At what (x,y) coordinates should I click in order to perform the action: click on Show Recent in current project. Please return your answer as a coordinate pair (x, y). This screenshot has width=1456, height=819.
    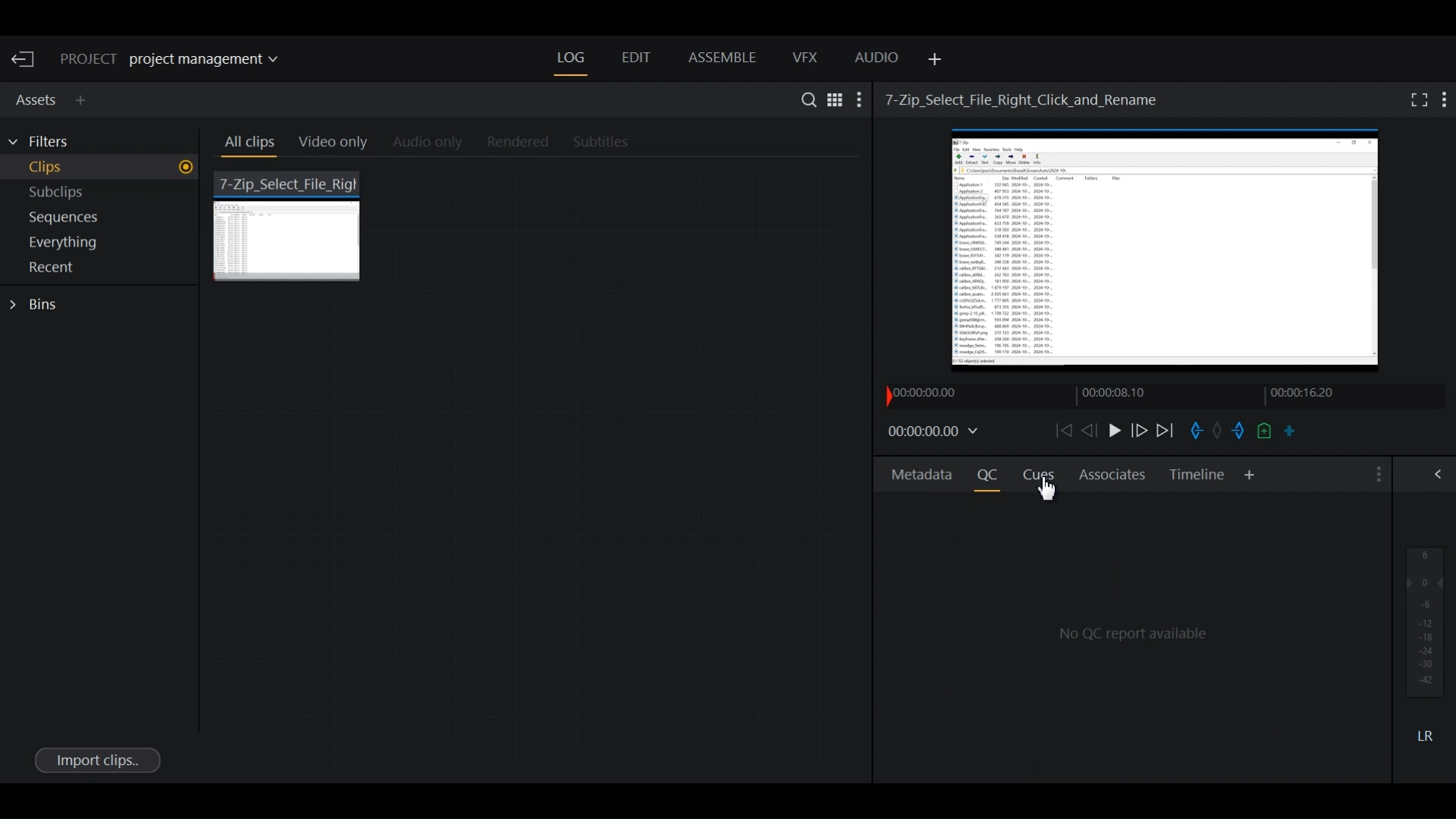
    Looking at the image, I should click on (102, 268).